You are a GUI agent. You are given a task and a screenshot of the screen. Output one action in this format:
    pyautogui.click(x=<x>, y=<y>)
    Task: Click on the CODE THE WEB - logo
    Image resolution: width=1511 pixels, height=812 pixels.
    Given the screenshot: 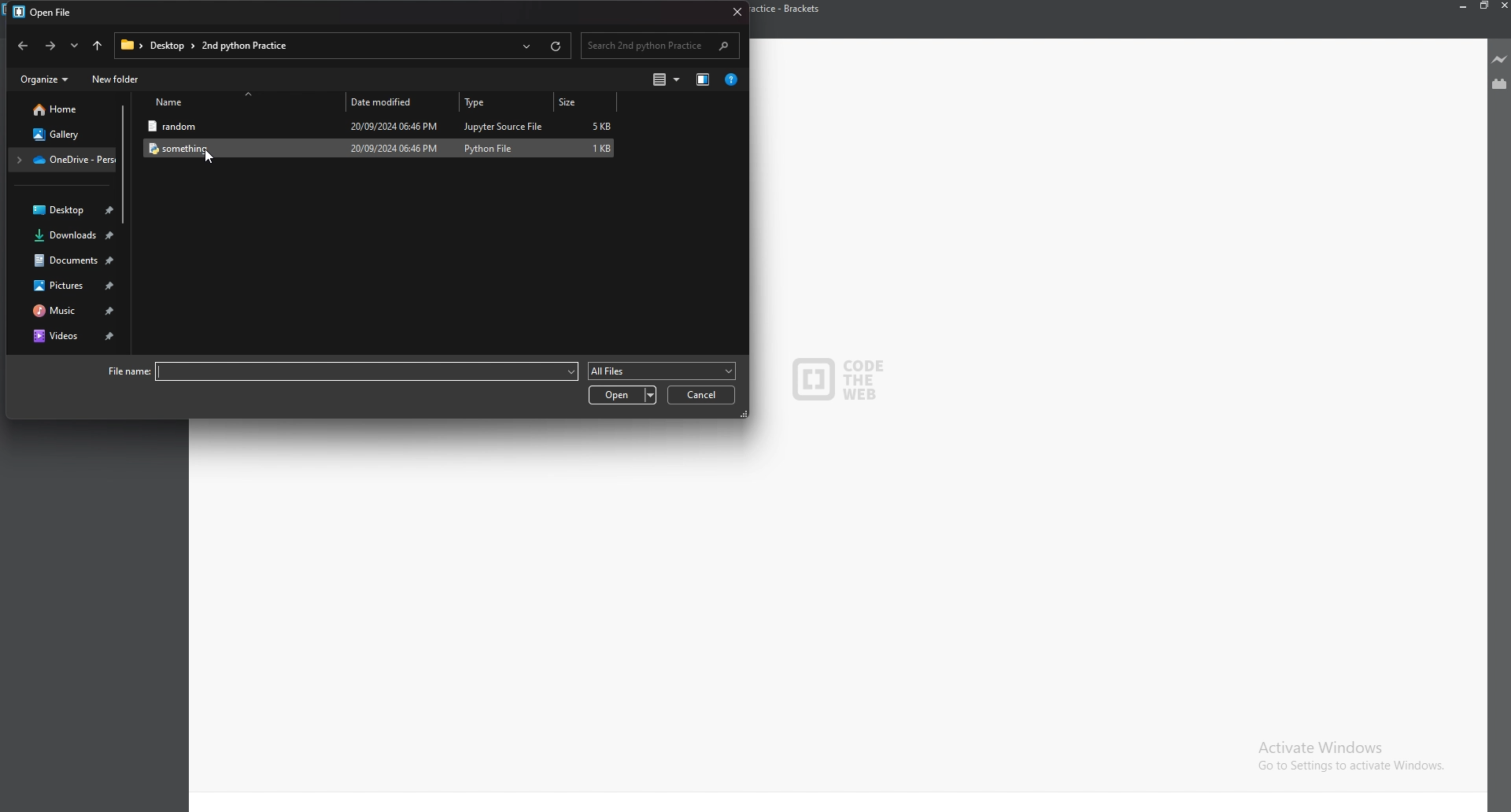 What is the action you would take?
    pyautogui.click(x=839, y=380)
    